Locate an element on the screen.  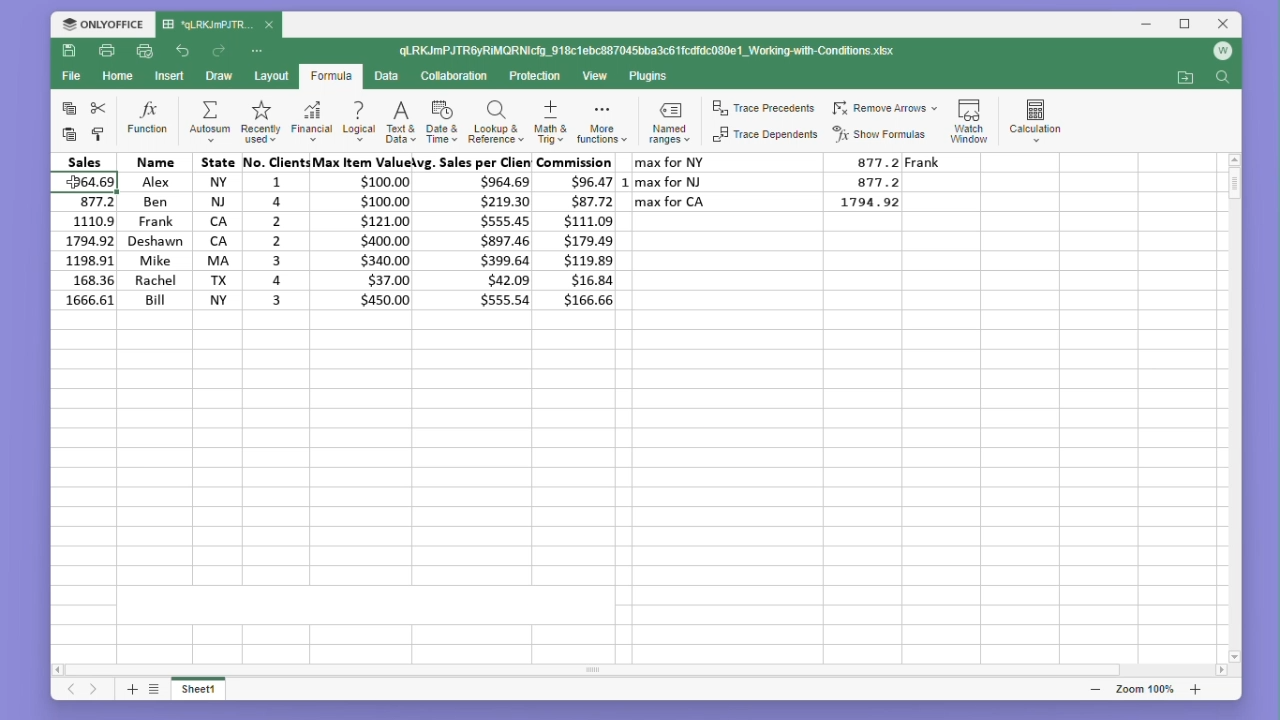
Autosum is located at coordinates (210, 117).